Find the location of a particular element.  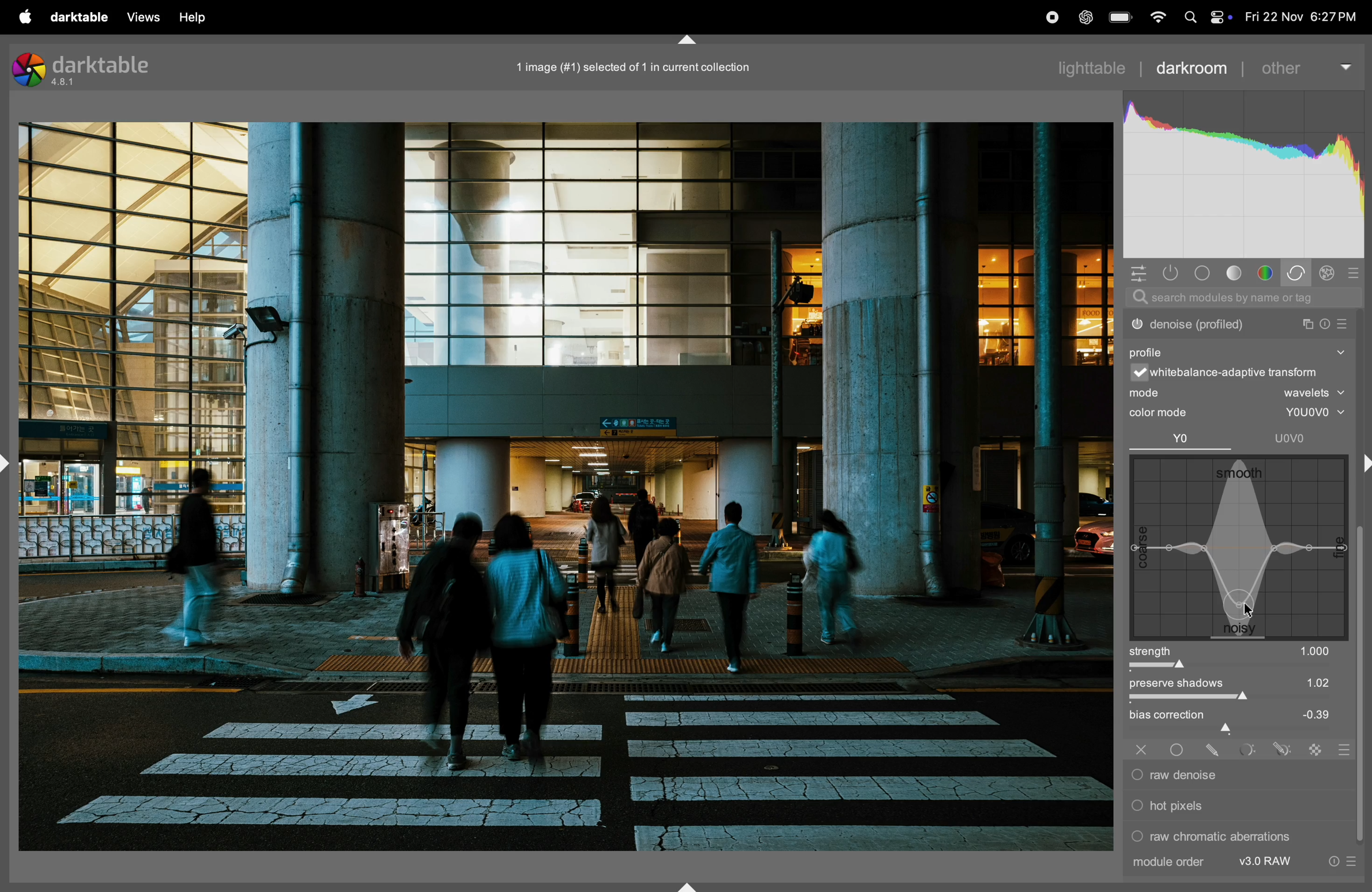

uniformly is located at coordinates (1179, 750).